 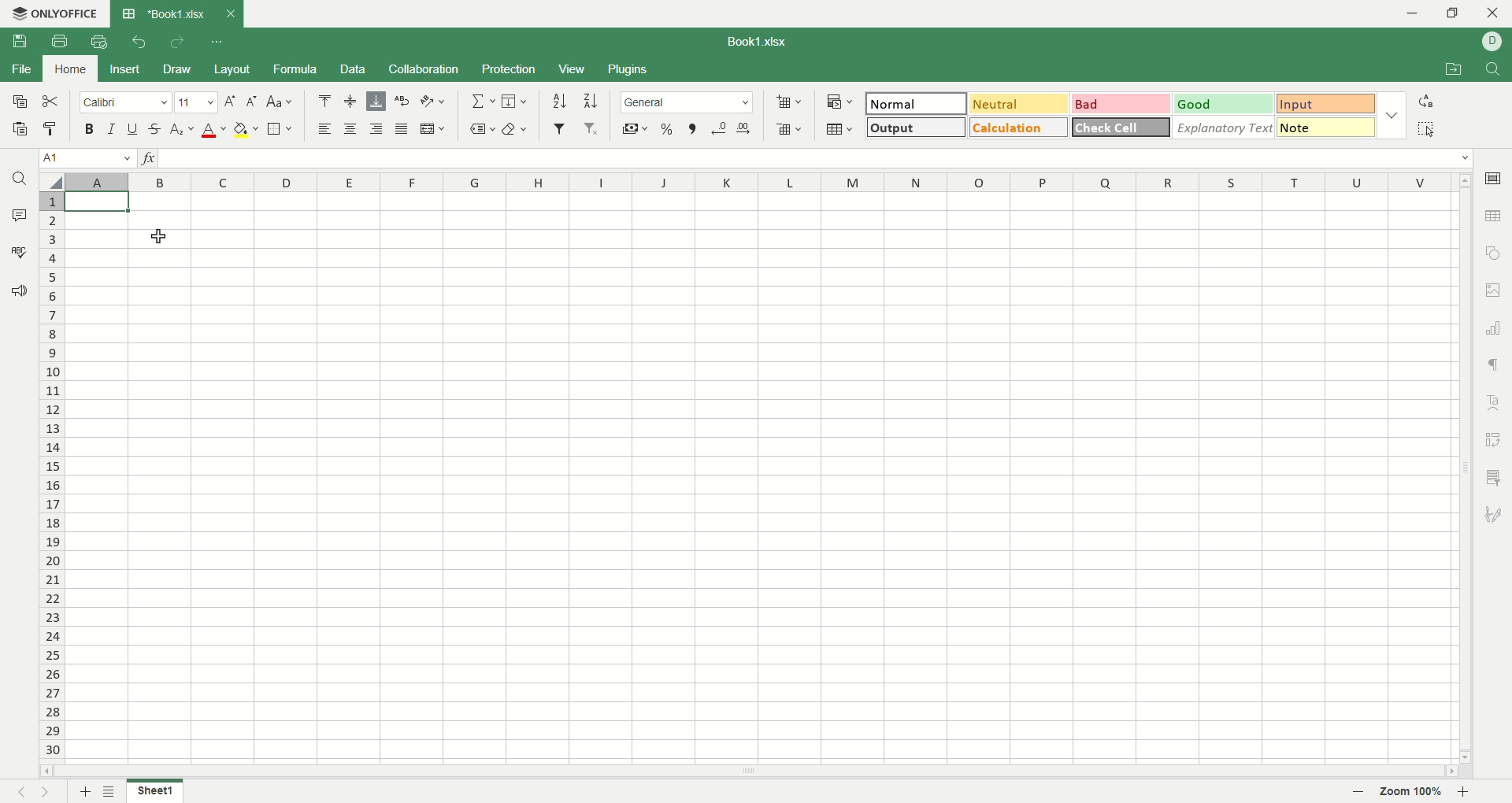 What do you see at coordinates (53, 476) in the screenshot?
I see `row number` at bounding box center [53, 476].